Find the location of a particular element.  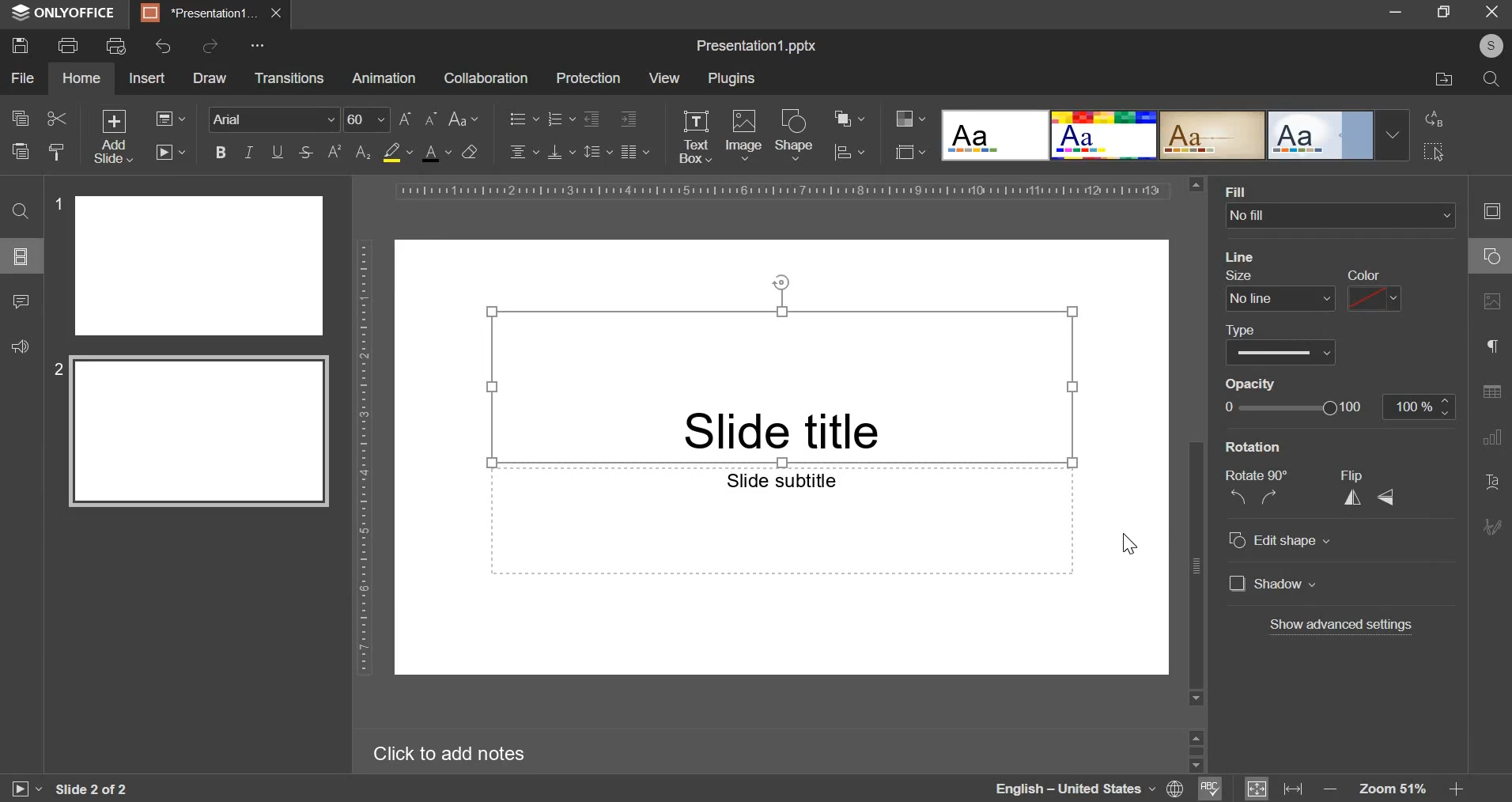

plugins is located at coordinates (731, 79).